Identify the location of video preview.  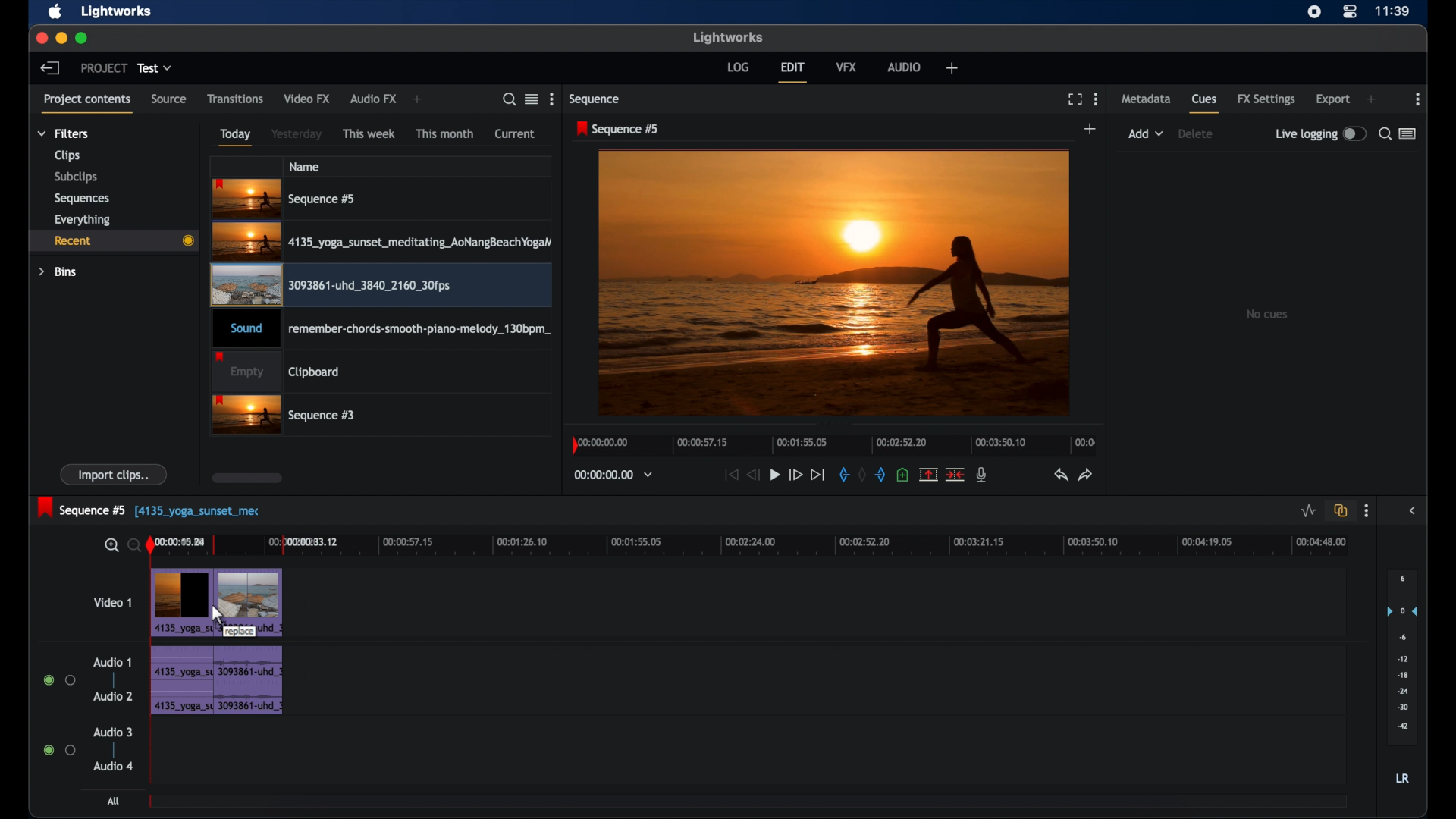
(836, 284).